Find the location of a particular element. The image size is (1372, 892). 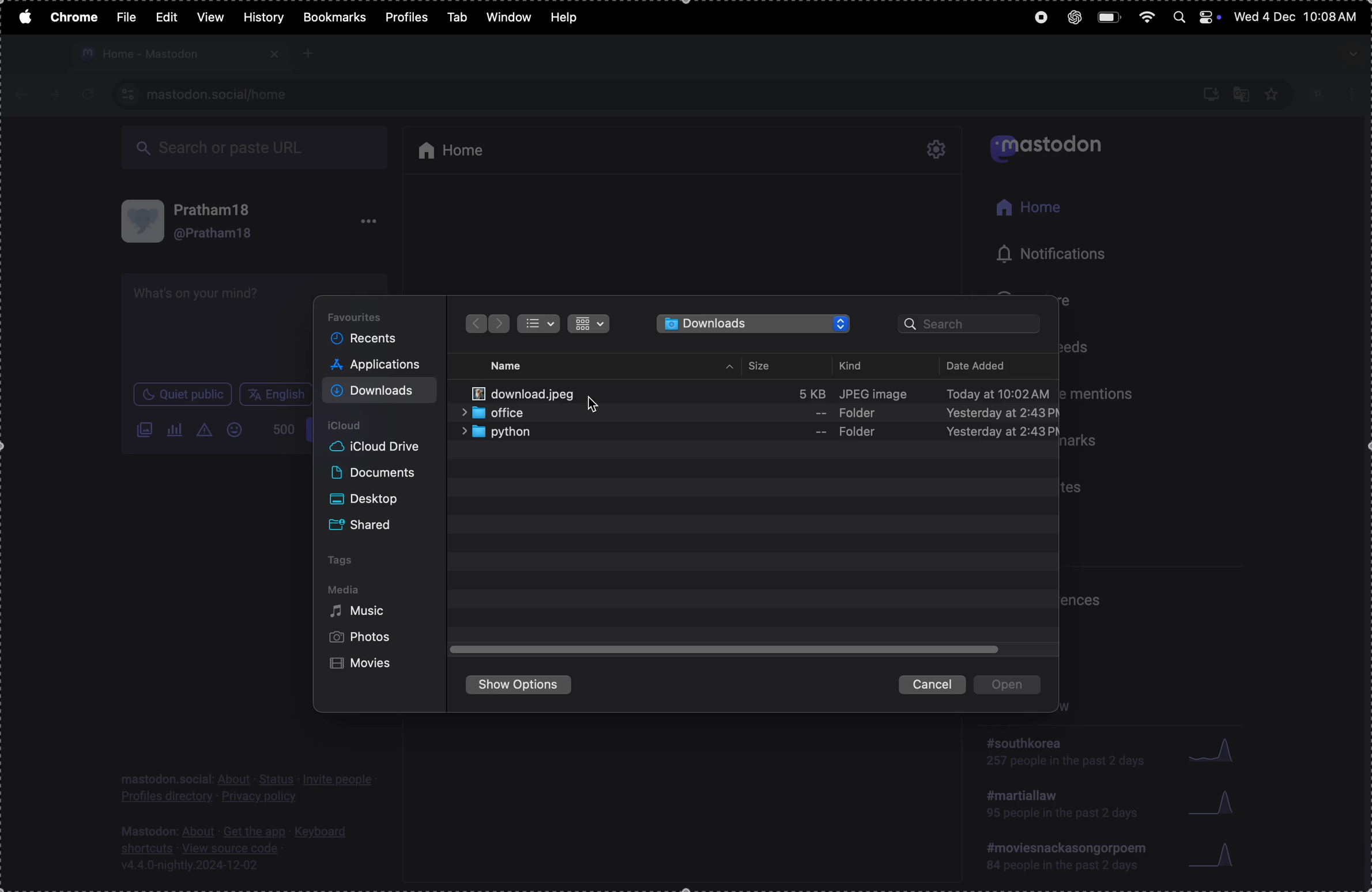

name is located at coordinates (512, 364).